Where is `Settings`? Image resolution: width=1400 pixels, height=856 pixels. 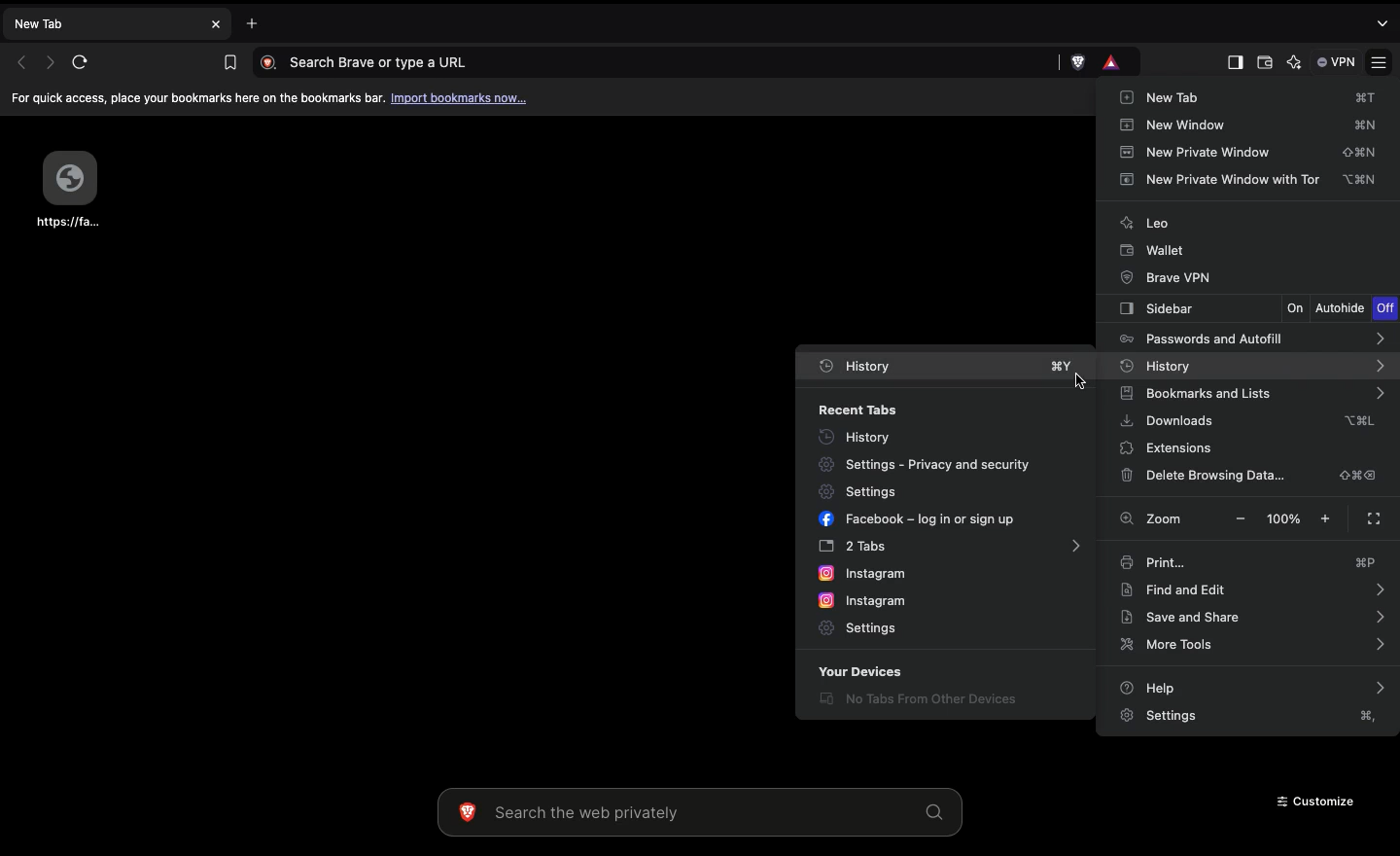 Settings is located at coordinates (1382, 62).